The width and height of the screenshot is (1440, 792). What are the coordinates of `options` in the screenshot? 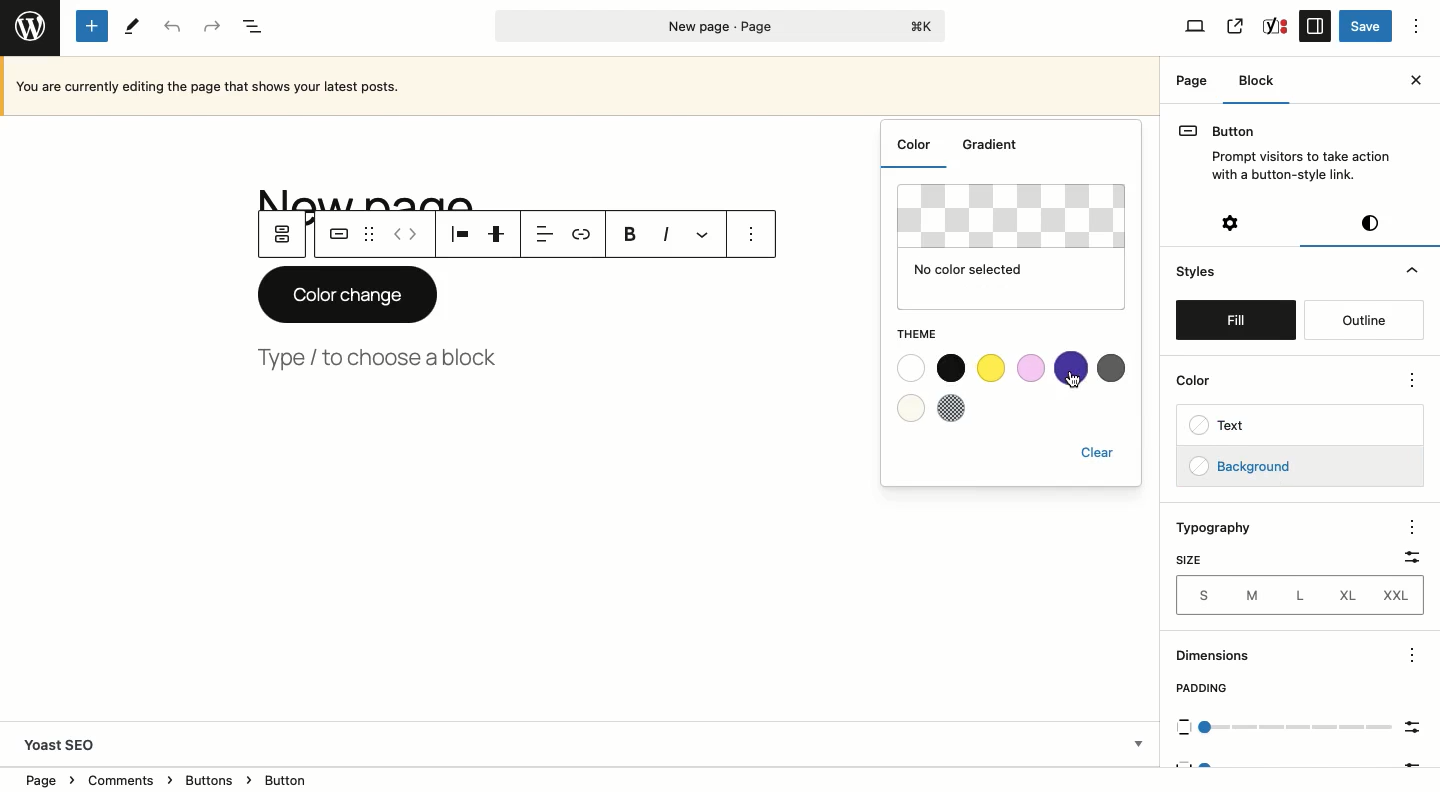 It's located at (1412, 526).